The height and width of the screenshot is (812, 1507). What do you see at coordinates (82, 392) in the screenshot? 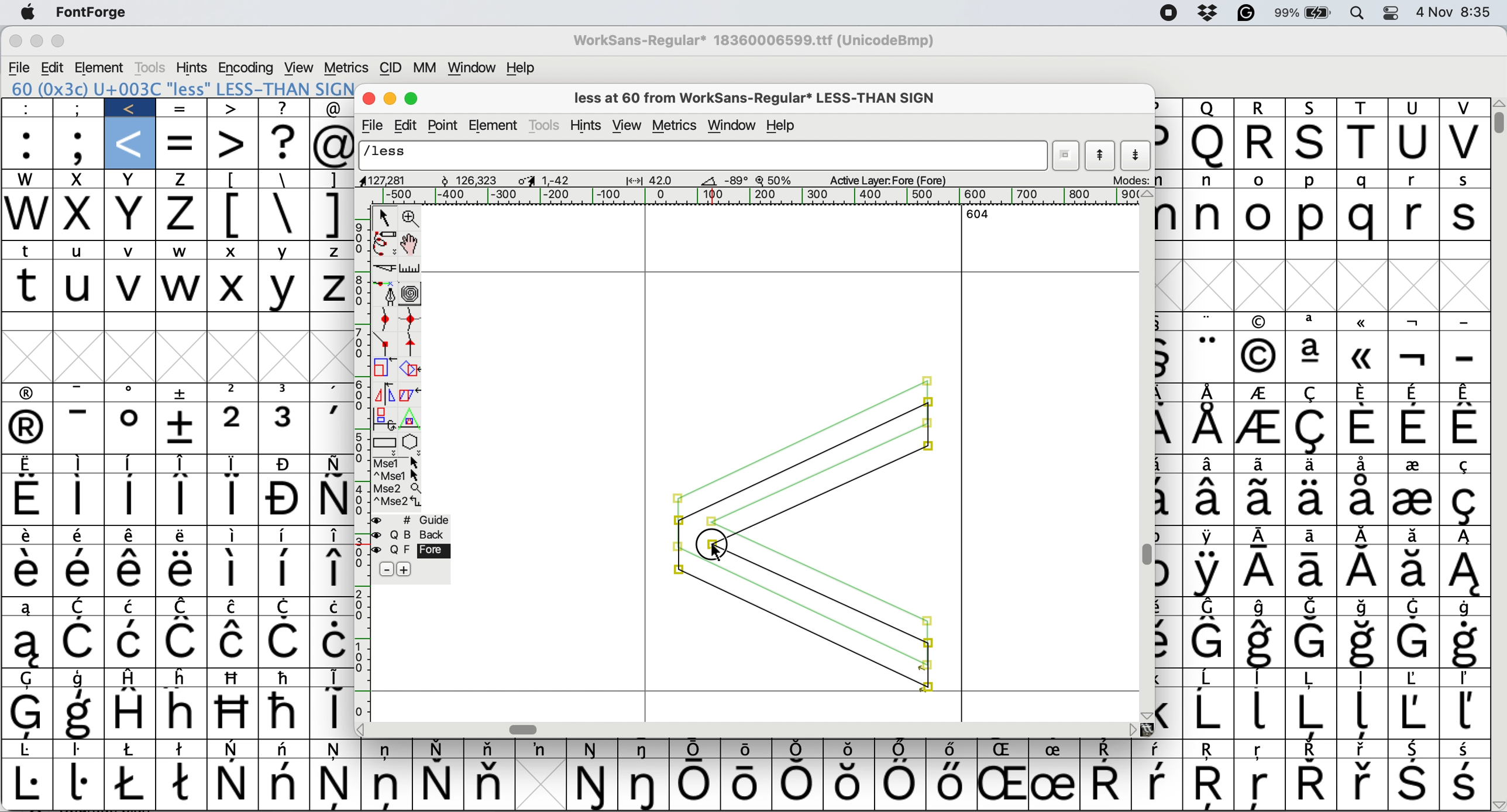
I see `-` at bounding box center [82, 392].